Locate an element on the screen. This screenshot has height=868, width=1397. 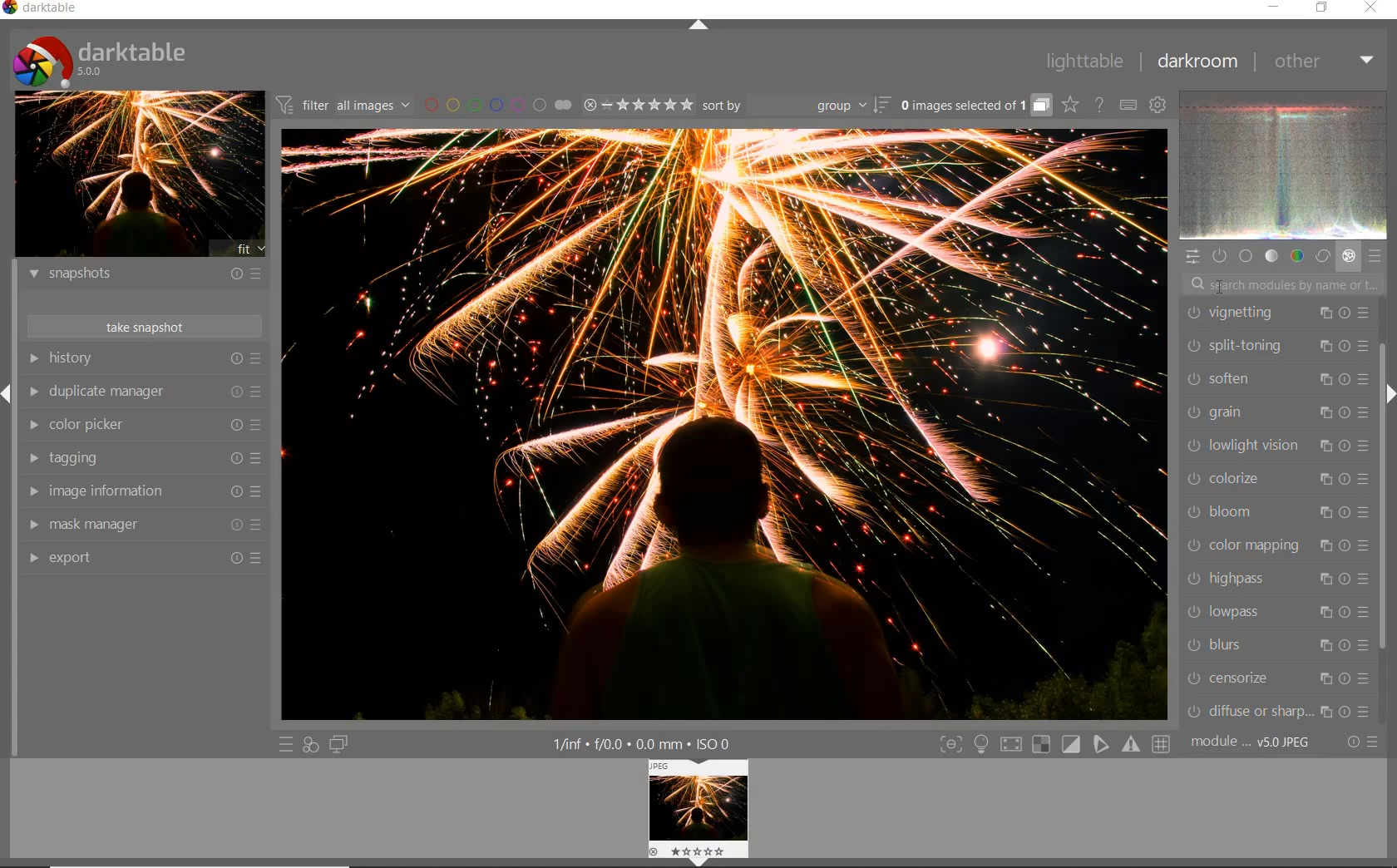
lighttable is located at coordinates (1082, 60).